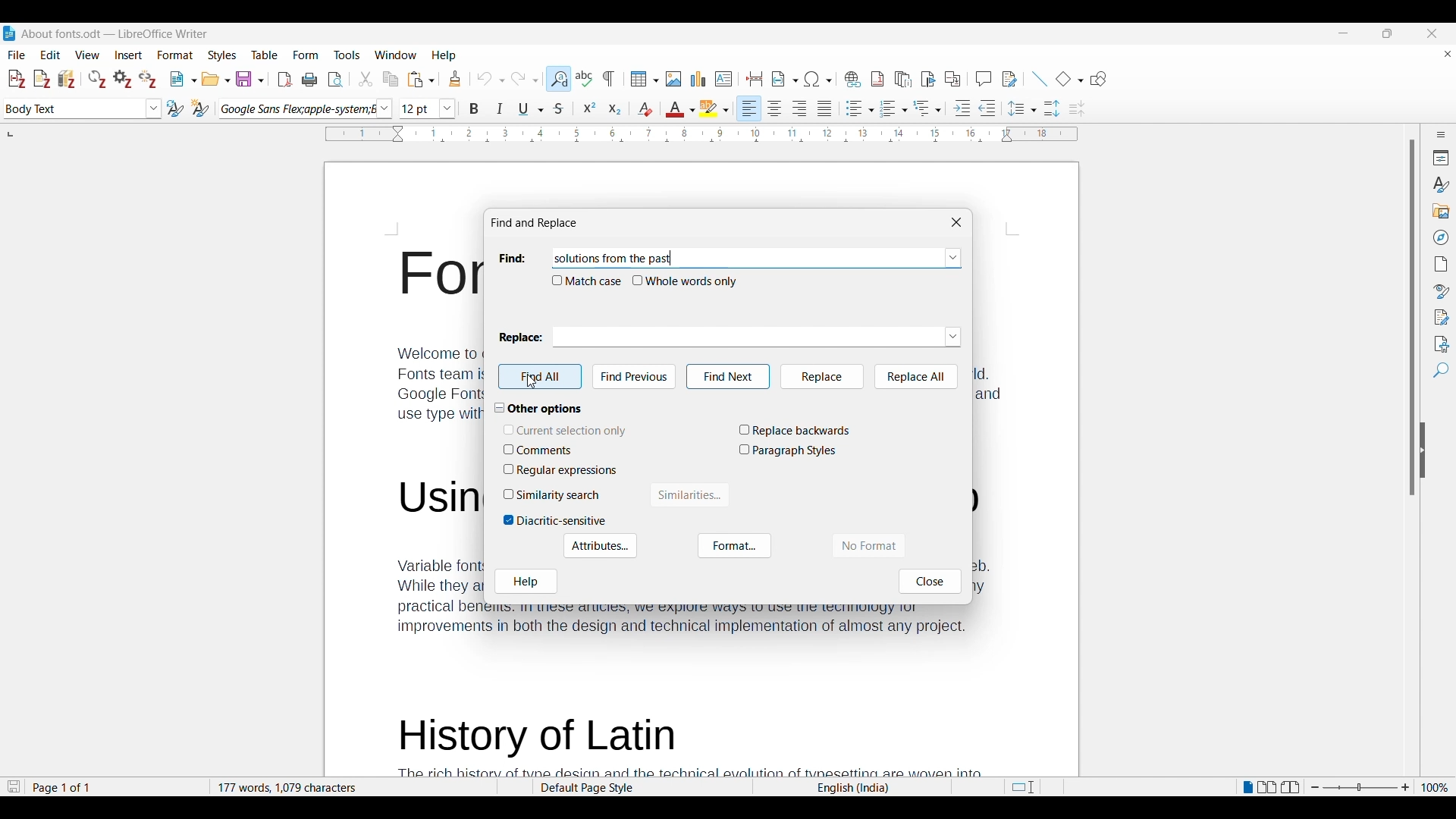 This screenshot has height=819, width=1456. I want to click on Current font, so click(297, 109).